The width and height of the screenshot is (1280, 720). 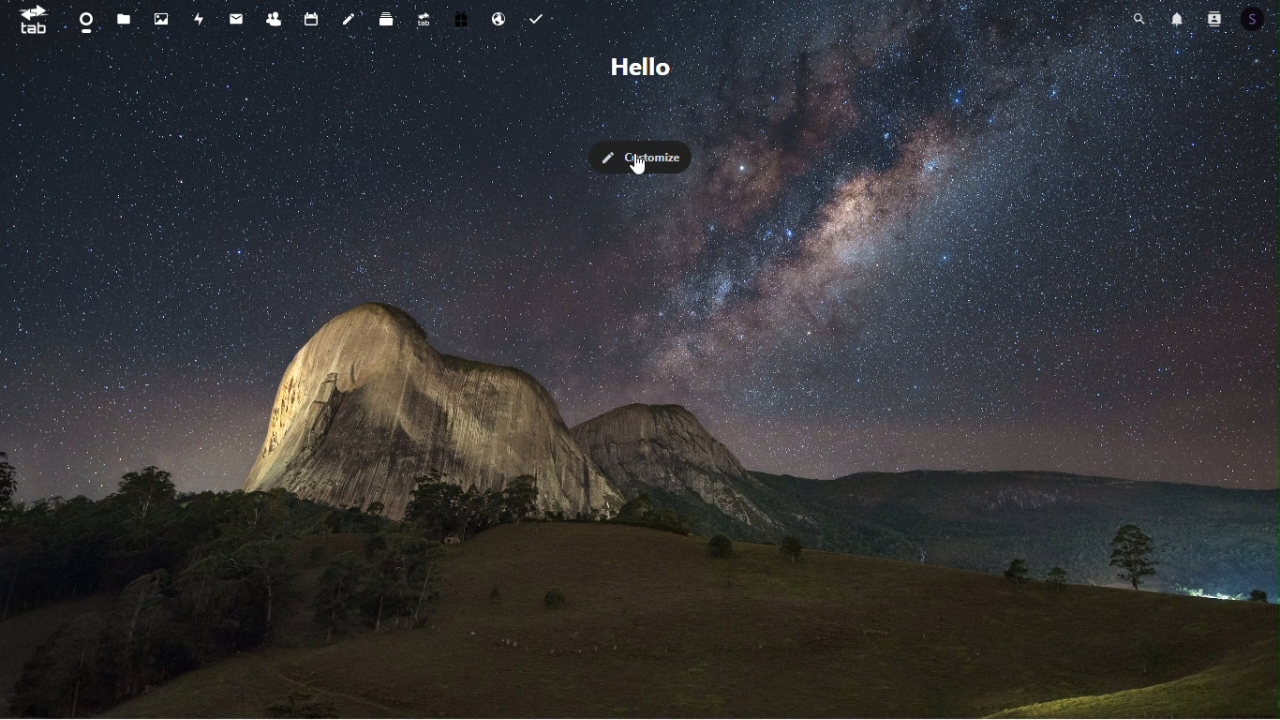 I want to click on Account icon, so click(x=1215, y=20).